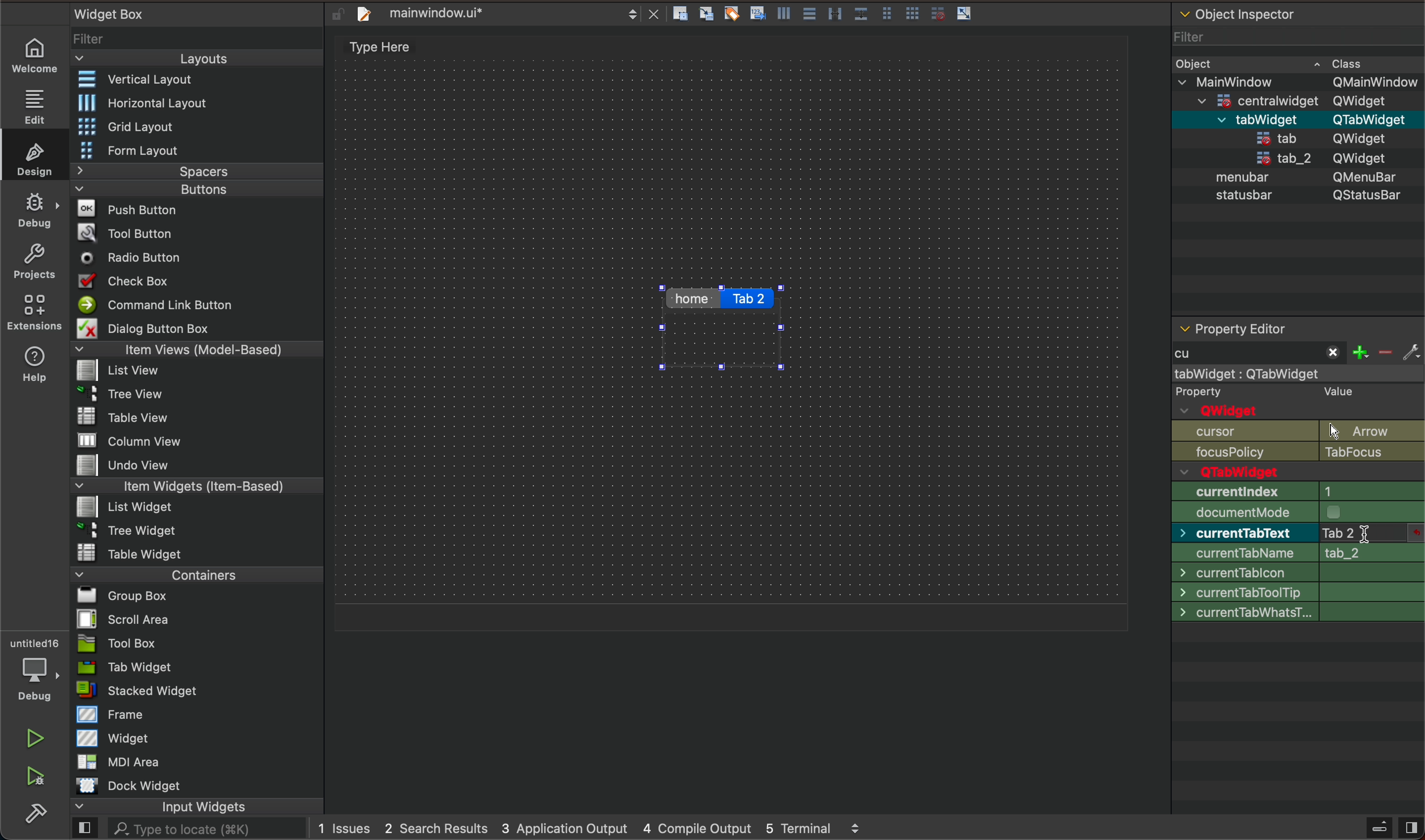  I want to click on Push Button, so click(119, 209).